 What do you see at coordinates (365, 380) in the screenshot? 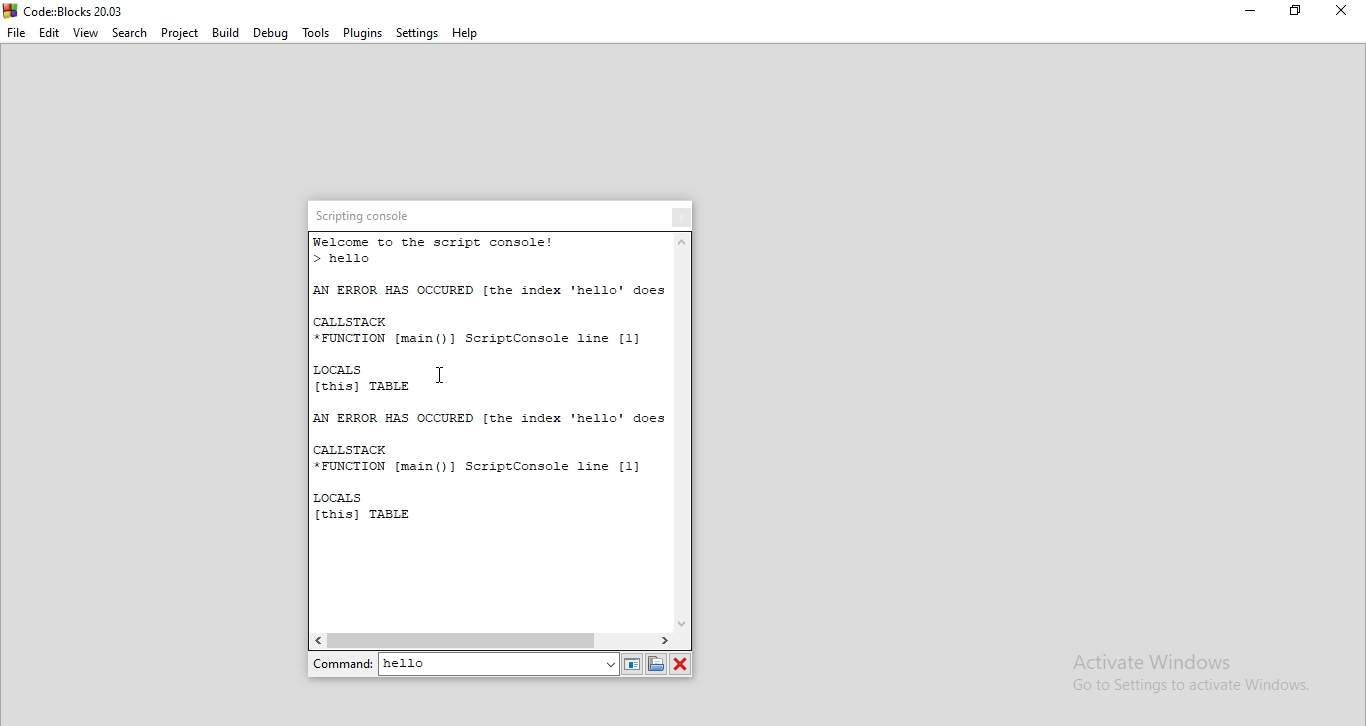
I see `LOCALS
[this] TABLE` at bounding box center [365, 380].